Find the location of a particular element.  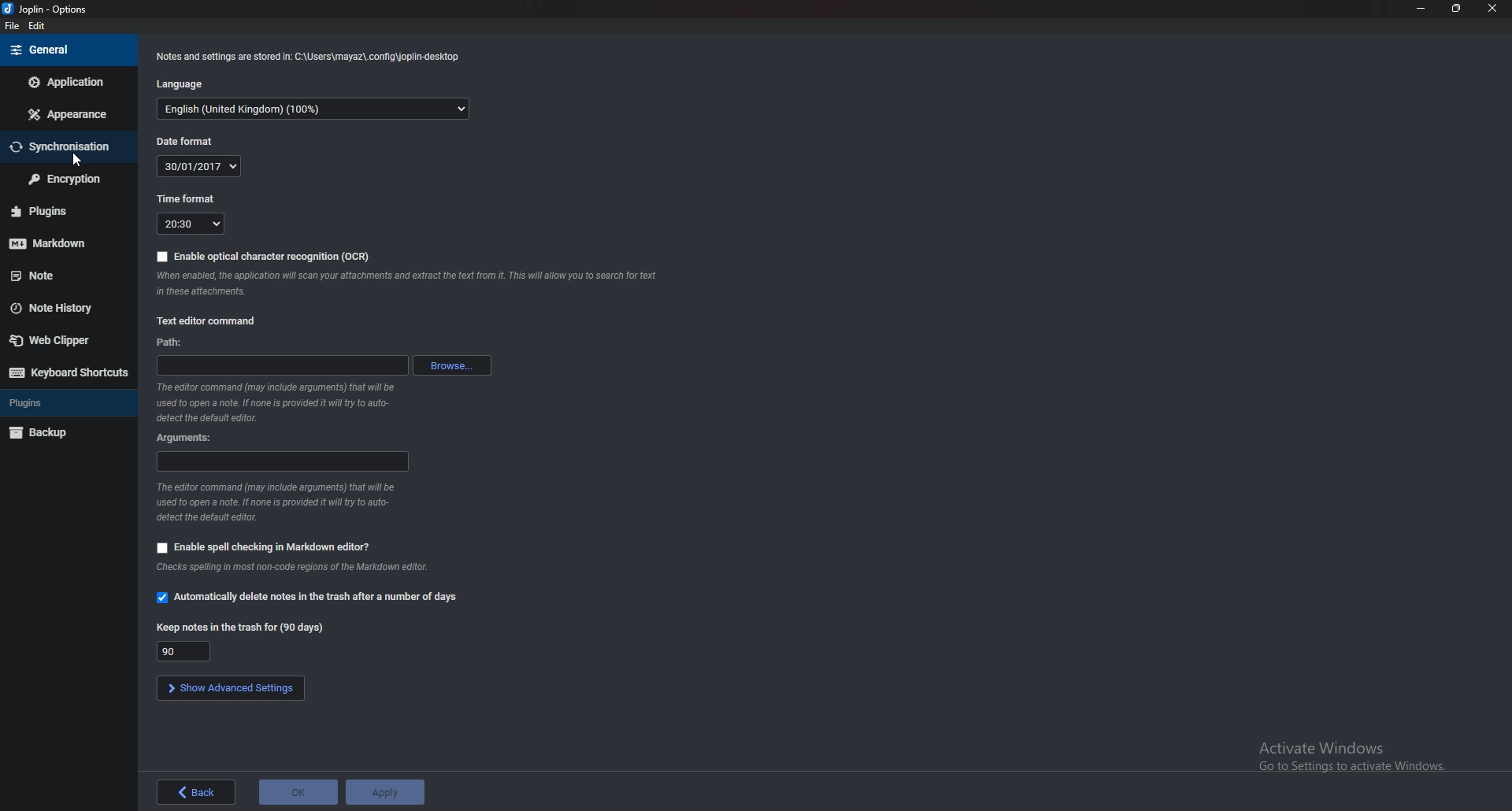

appearance is located at coordinates (71, 113).